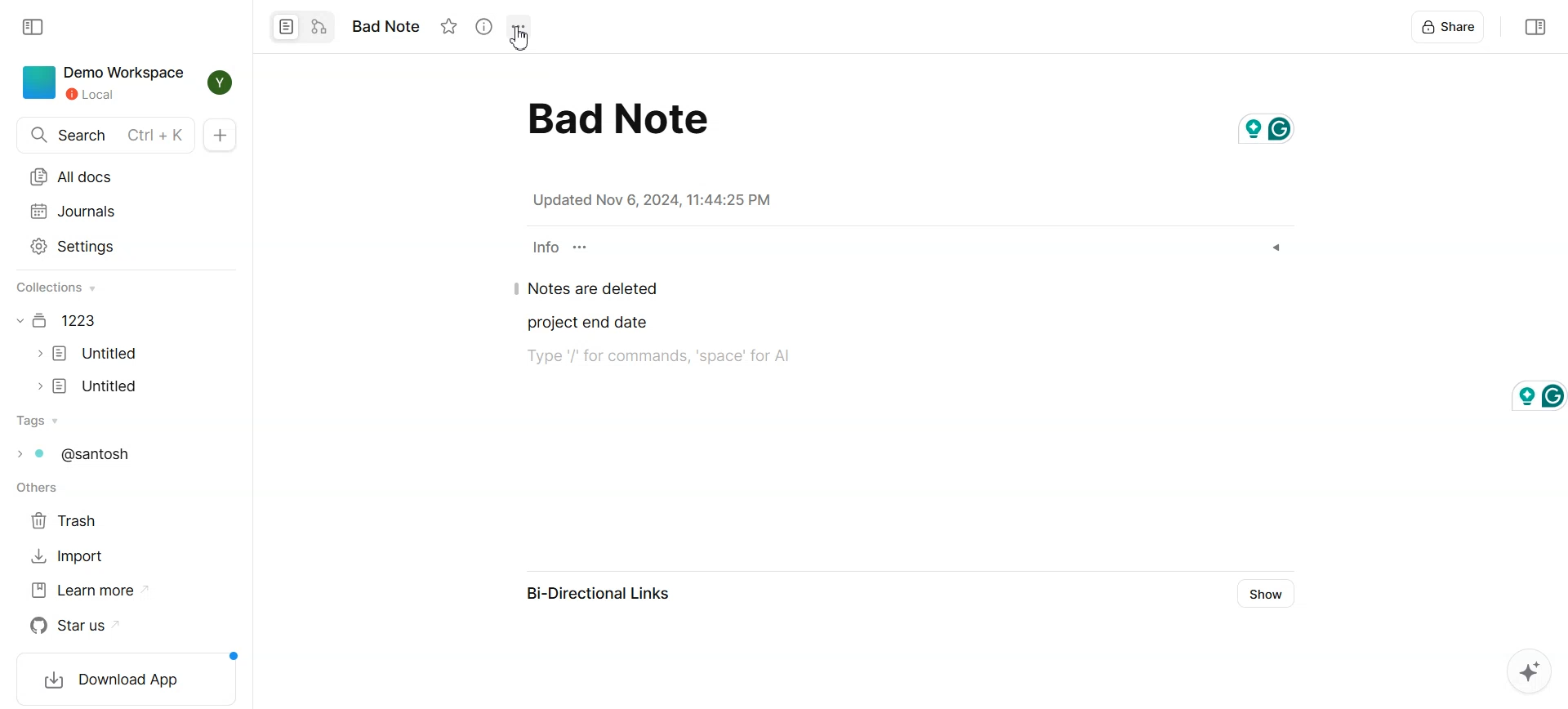  Describe the element at coordinates (1273, 126) in the screenshot. I see `grammarly` at that location.